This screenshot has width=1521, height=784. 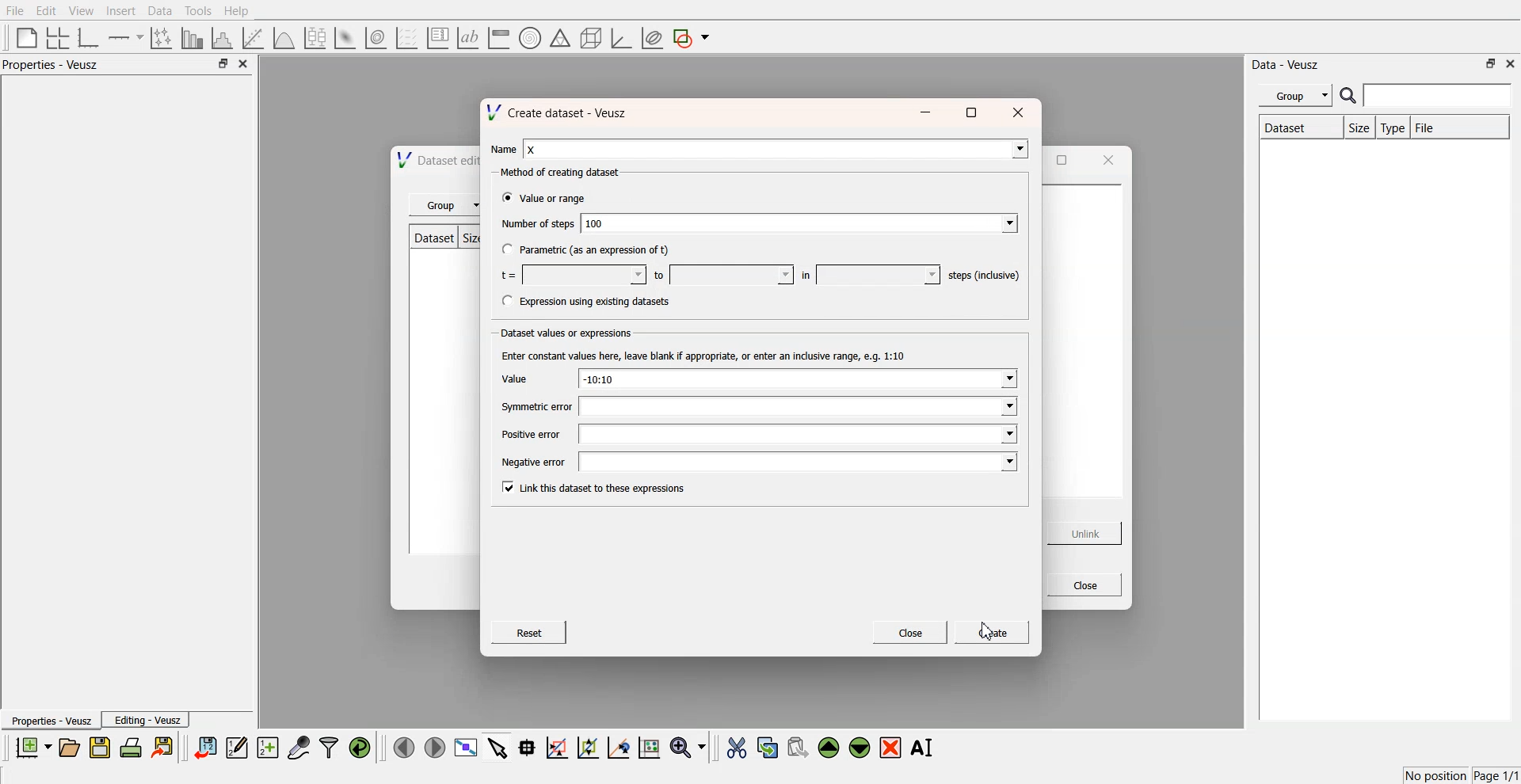 What do you see at coordinates (47, 10) in the screenshot?
I see `Edit` at bounding box center [47, 10].